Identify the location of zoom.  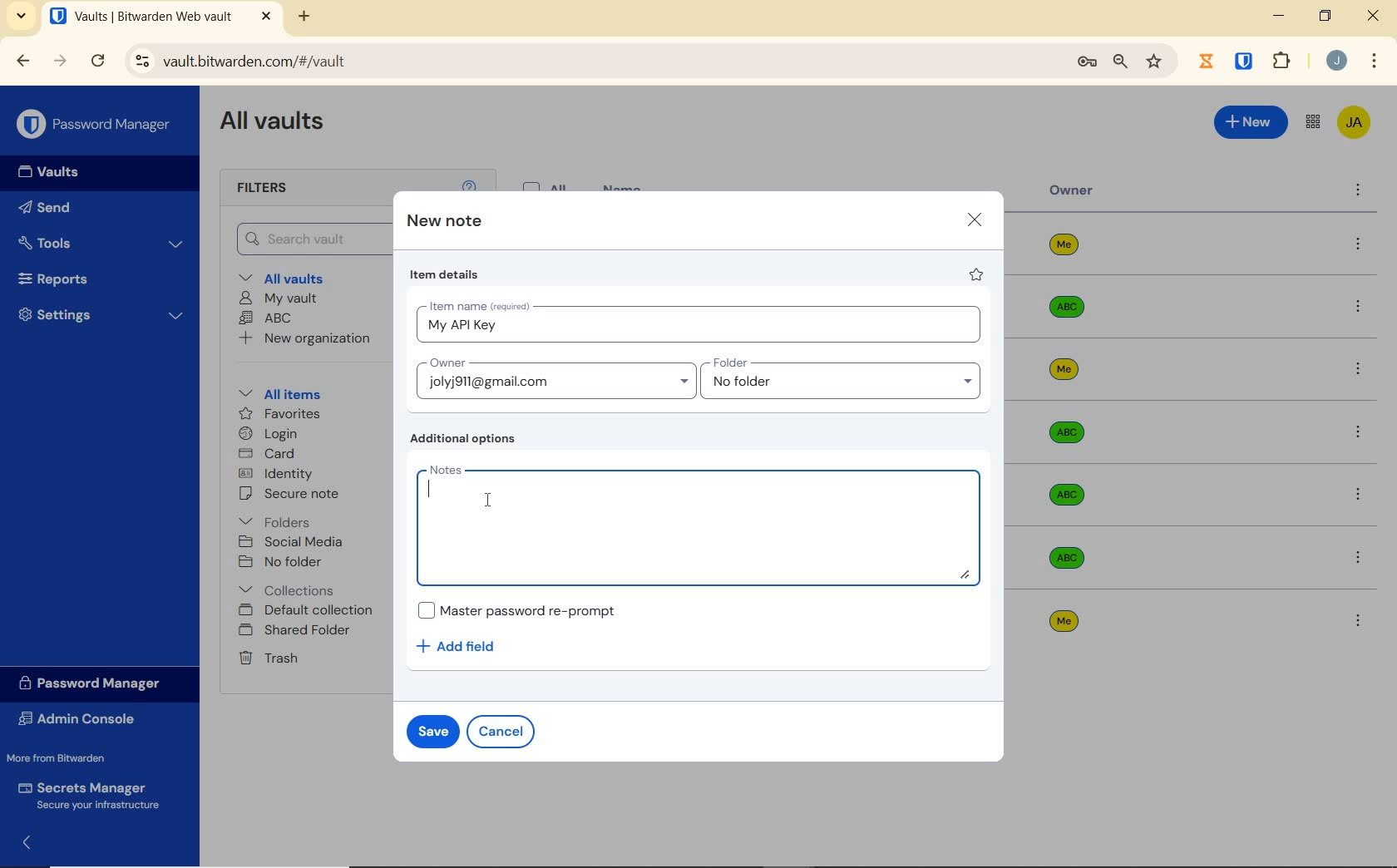
(1118, 62).